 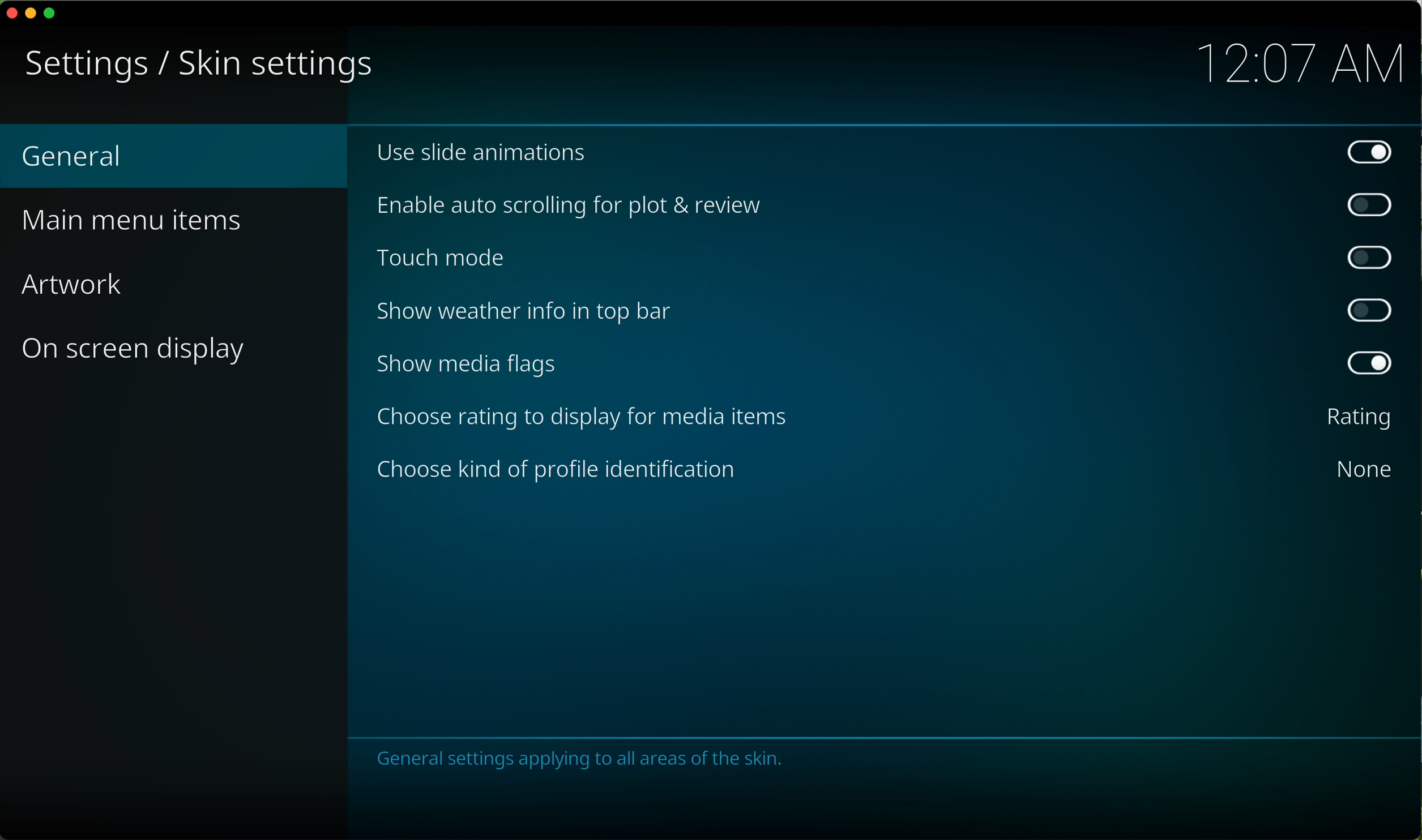 What do you see at coordinates (31, 17) in the screenshot?
I see `minimize` at bounding box center [31, 17].